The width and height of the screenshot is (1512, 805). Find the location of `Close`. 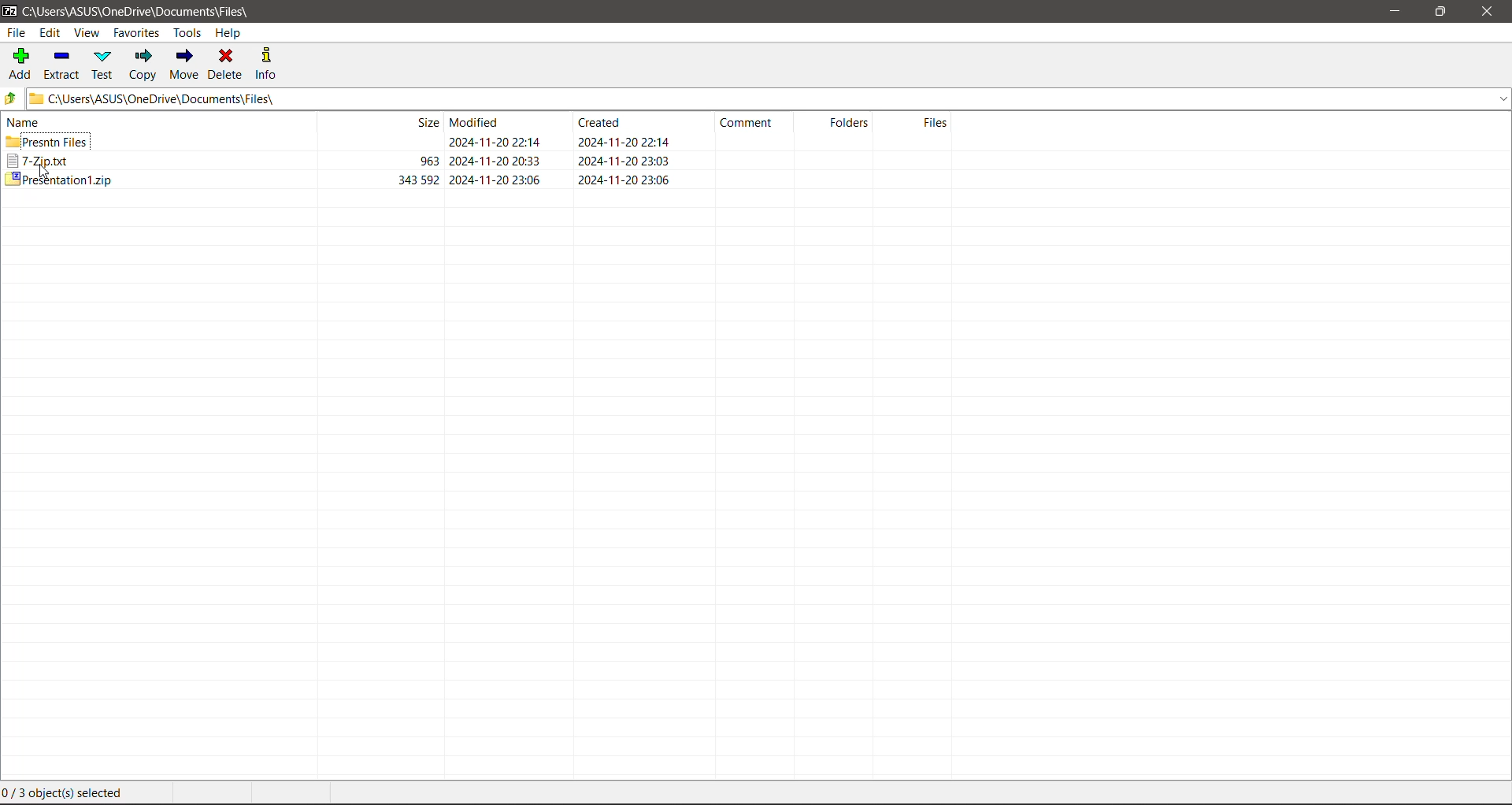

Close is located at coordinates (1488, 12).